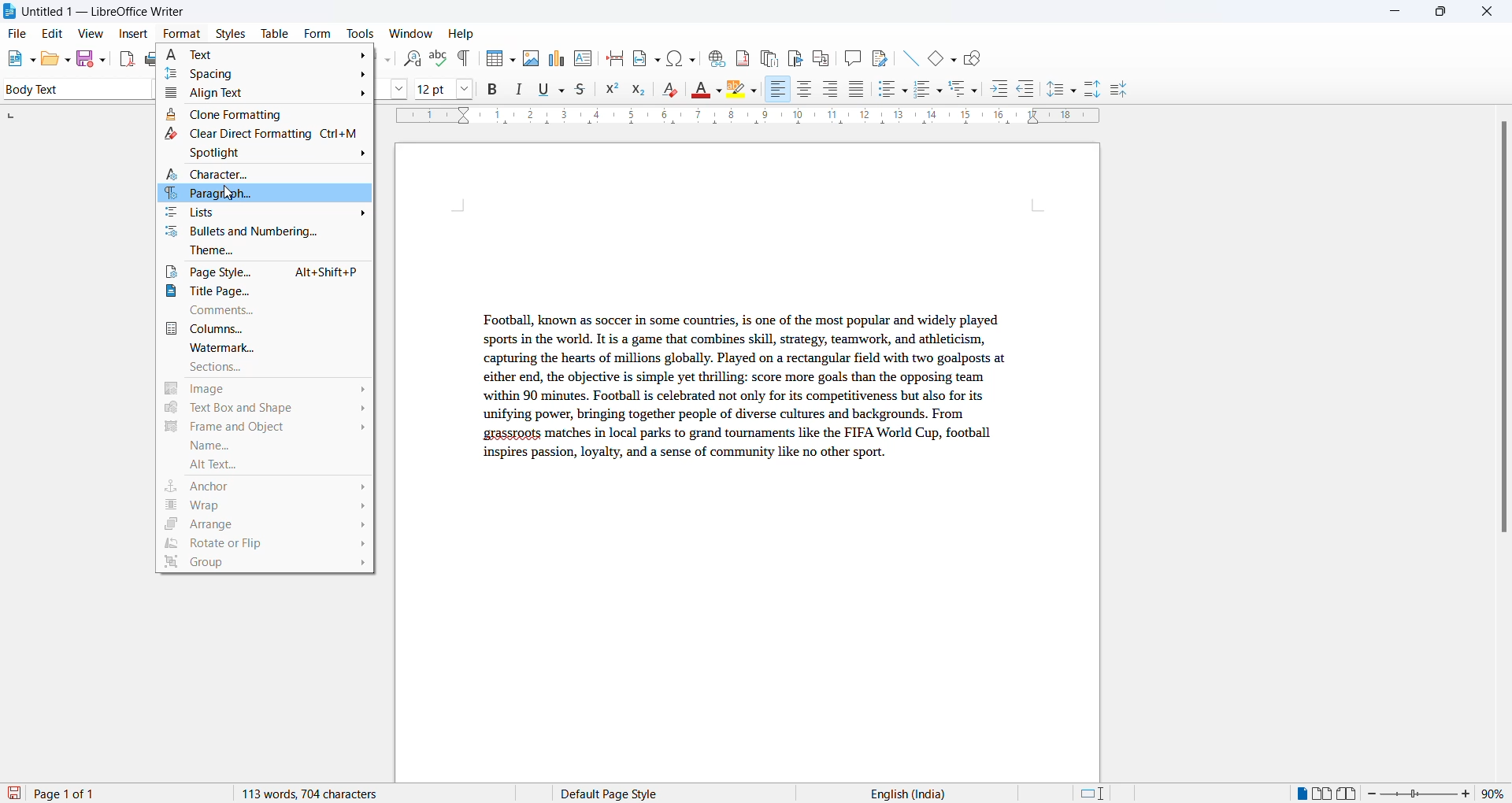  What do you see at coordinates (269, 52) in the screenshot?
I see `text` at bounding box center [269, 52].